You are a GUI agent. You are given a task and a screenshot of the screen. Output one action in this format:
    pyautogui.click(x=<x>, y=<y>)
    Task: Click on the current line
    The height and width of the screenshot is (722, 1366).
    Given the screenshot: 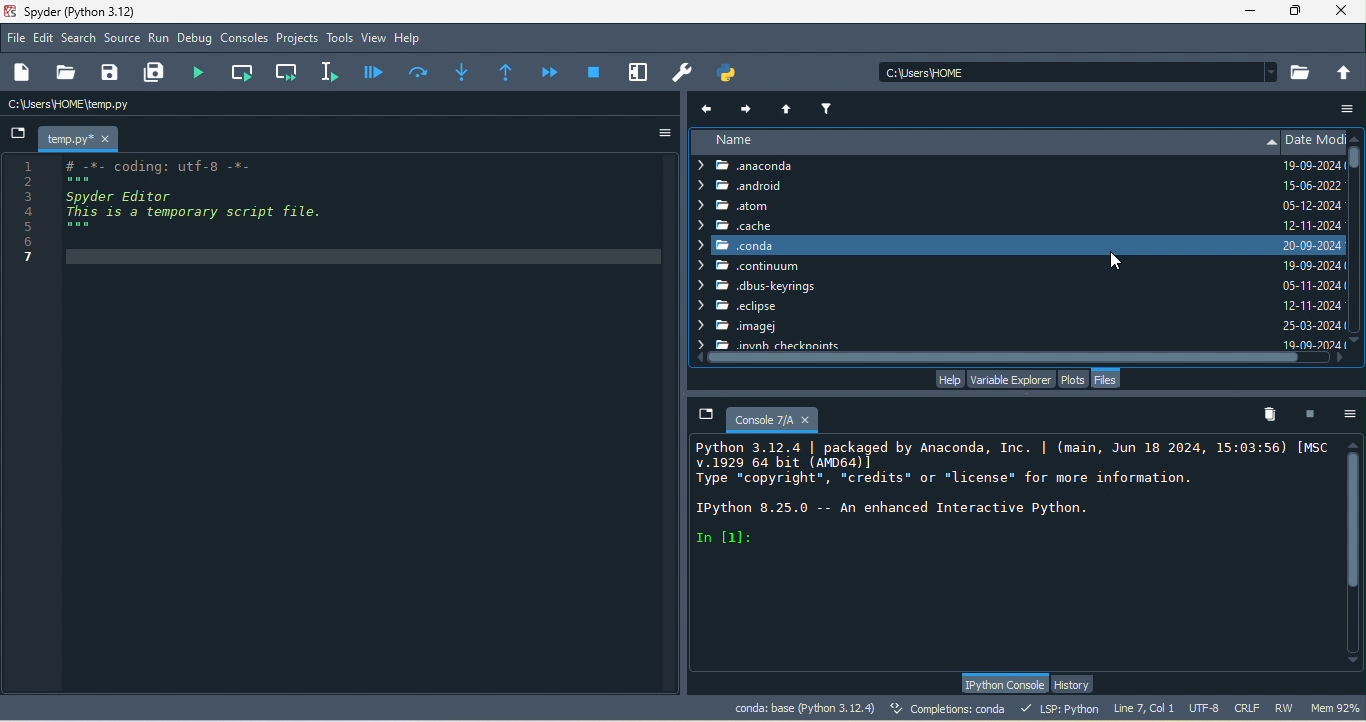 What is the action you would take?
    pyautogui.click(x=333, y=71)
    